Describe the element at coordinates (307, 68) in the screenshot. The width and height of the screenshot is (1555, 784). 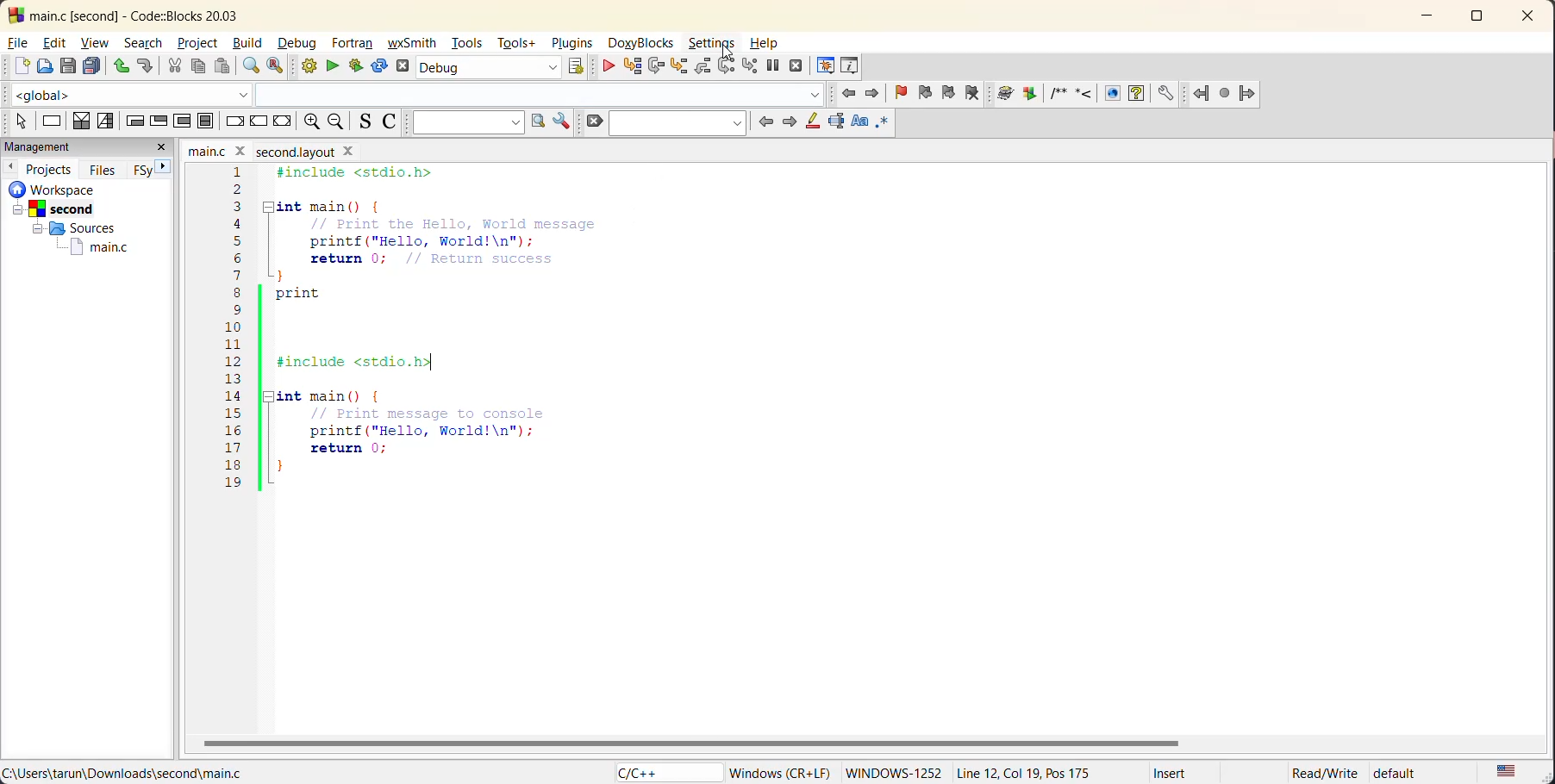
I see `build` at that location.